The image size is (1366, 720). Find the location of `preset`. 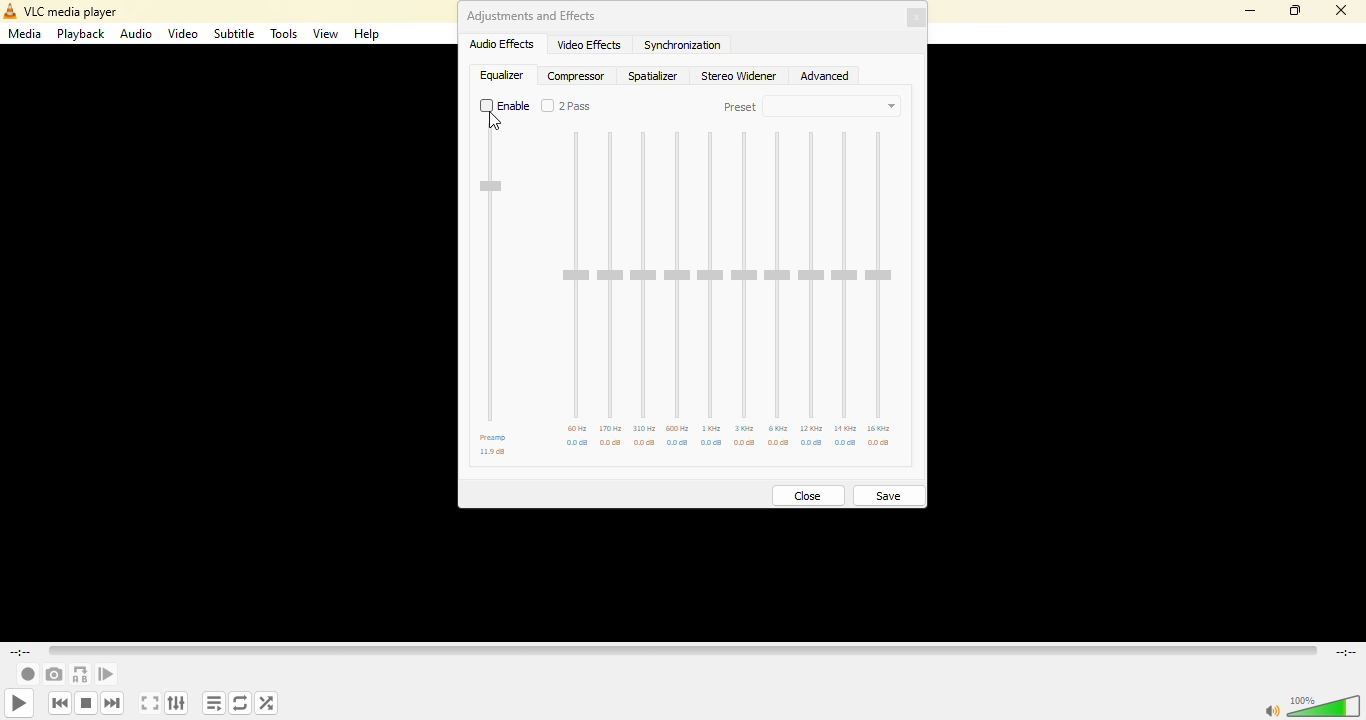

preset is located at coordinates (741, 108).